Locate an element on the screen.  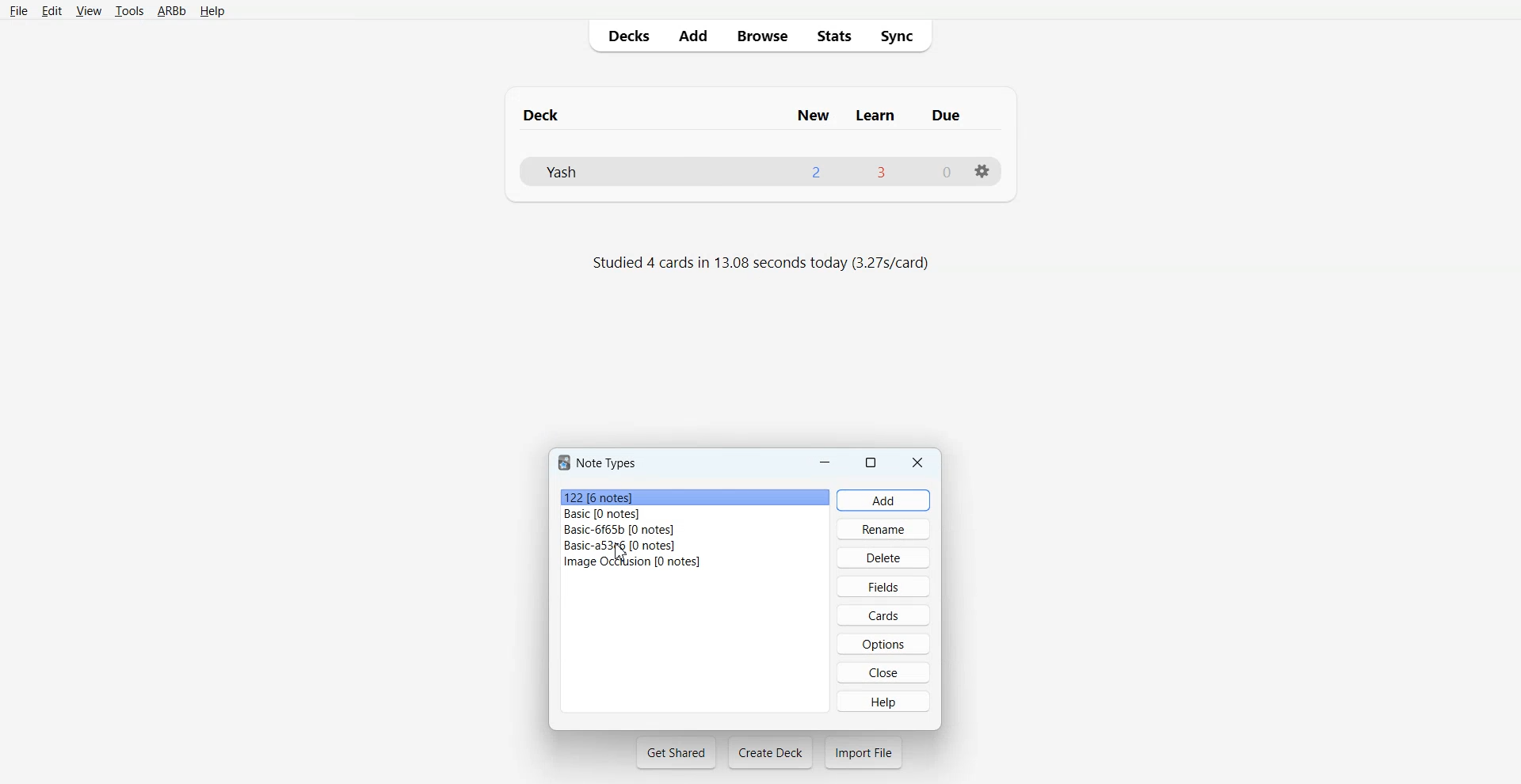
Add is located at coordinates (692, 36).